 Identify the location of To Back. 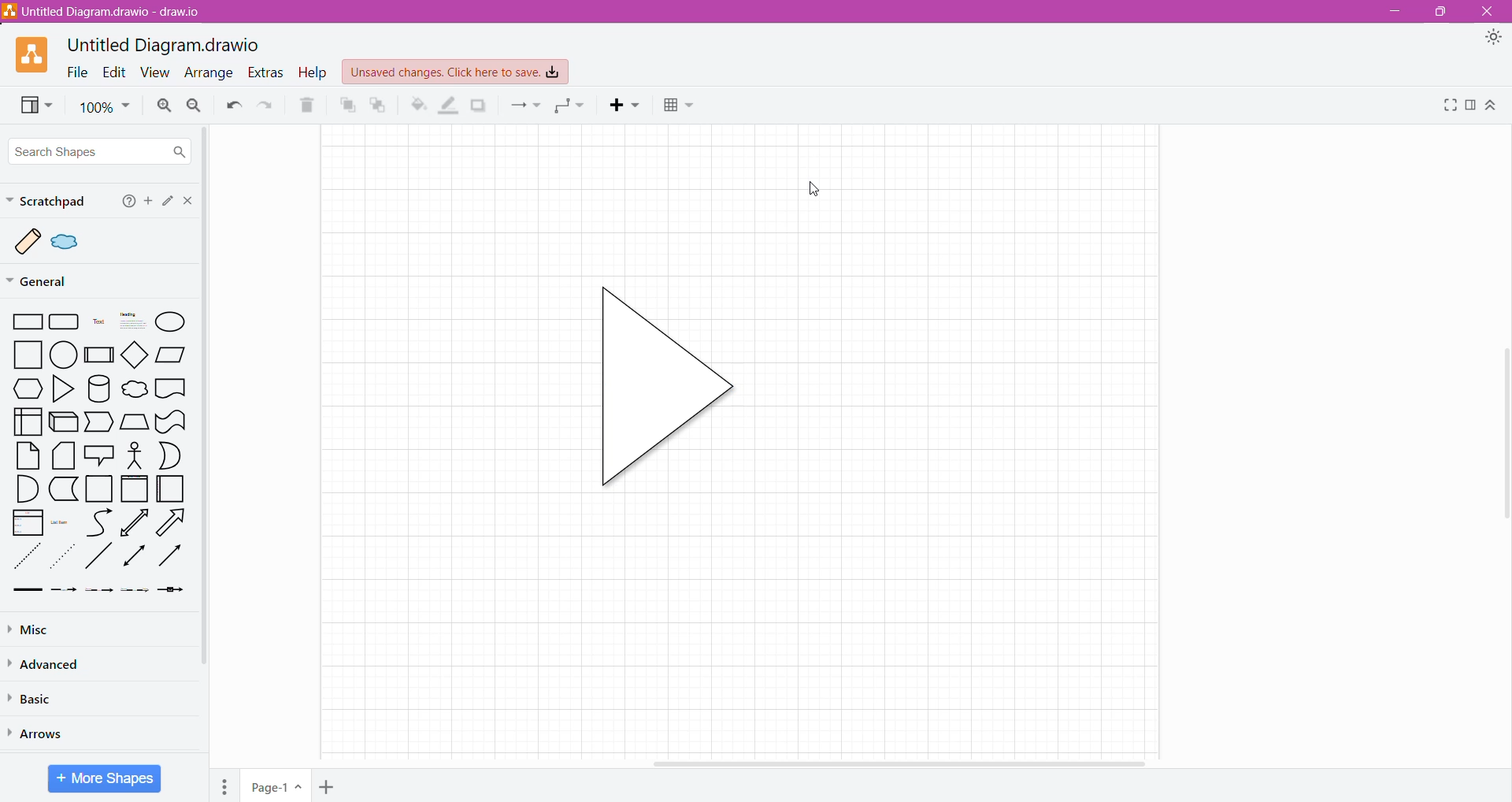
(380, 104).